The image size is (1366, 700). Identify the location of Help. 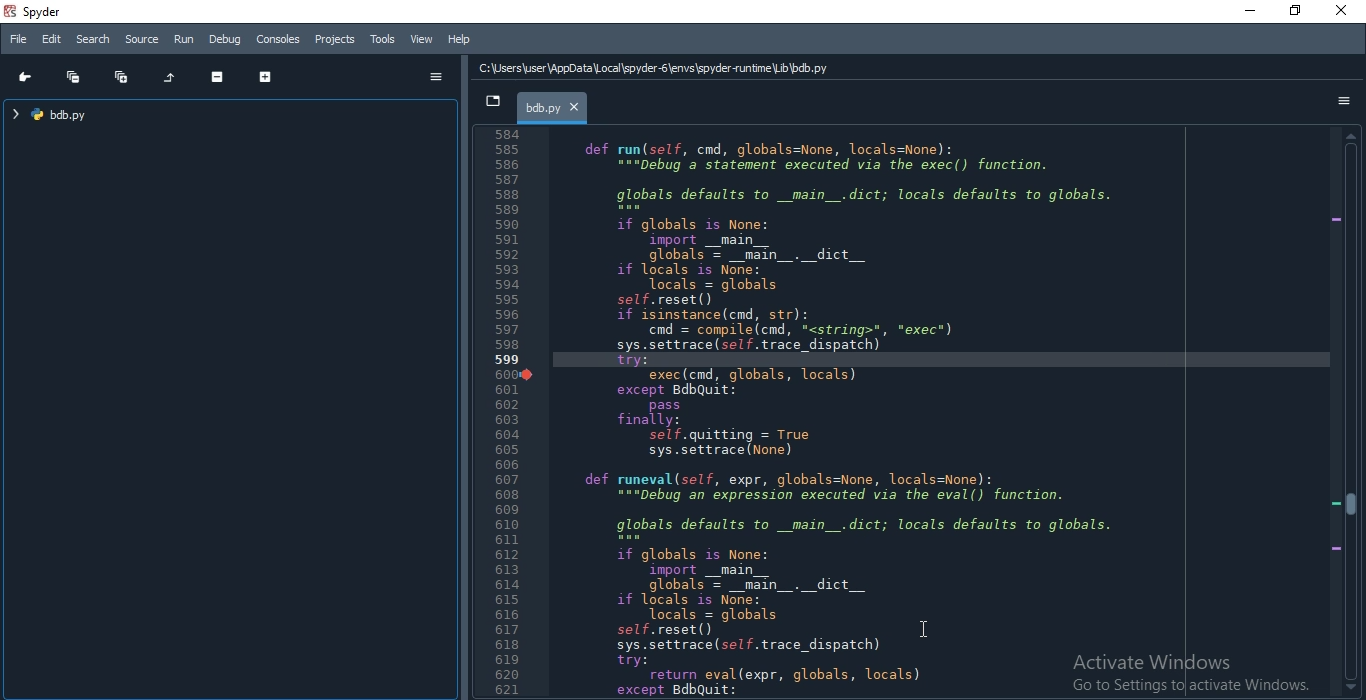
(458, 40).